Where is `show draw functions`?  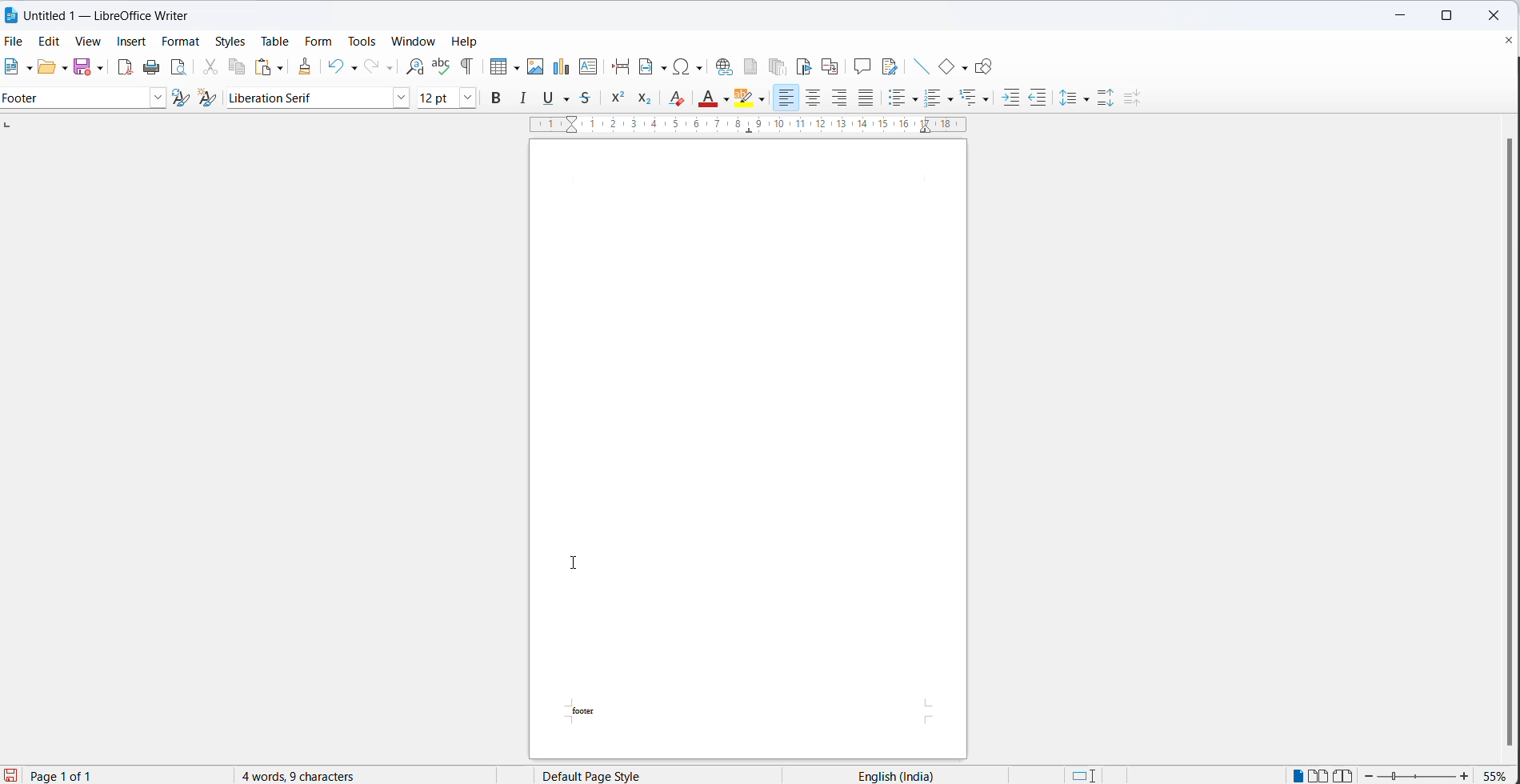 show draw functions is located at coordinates (990, 66).